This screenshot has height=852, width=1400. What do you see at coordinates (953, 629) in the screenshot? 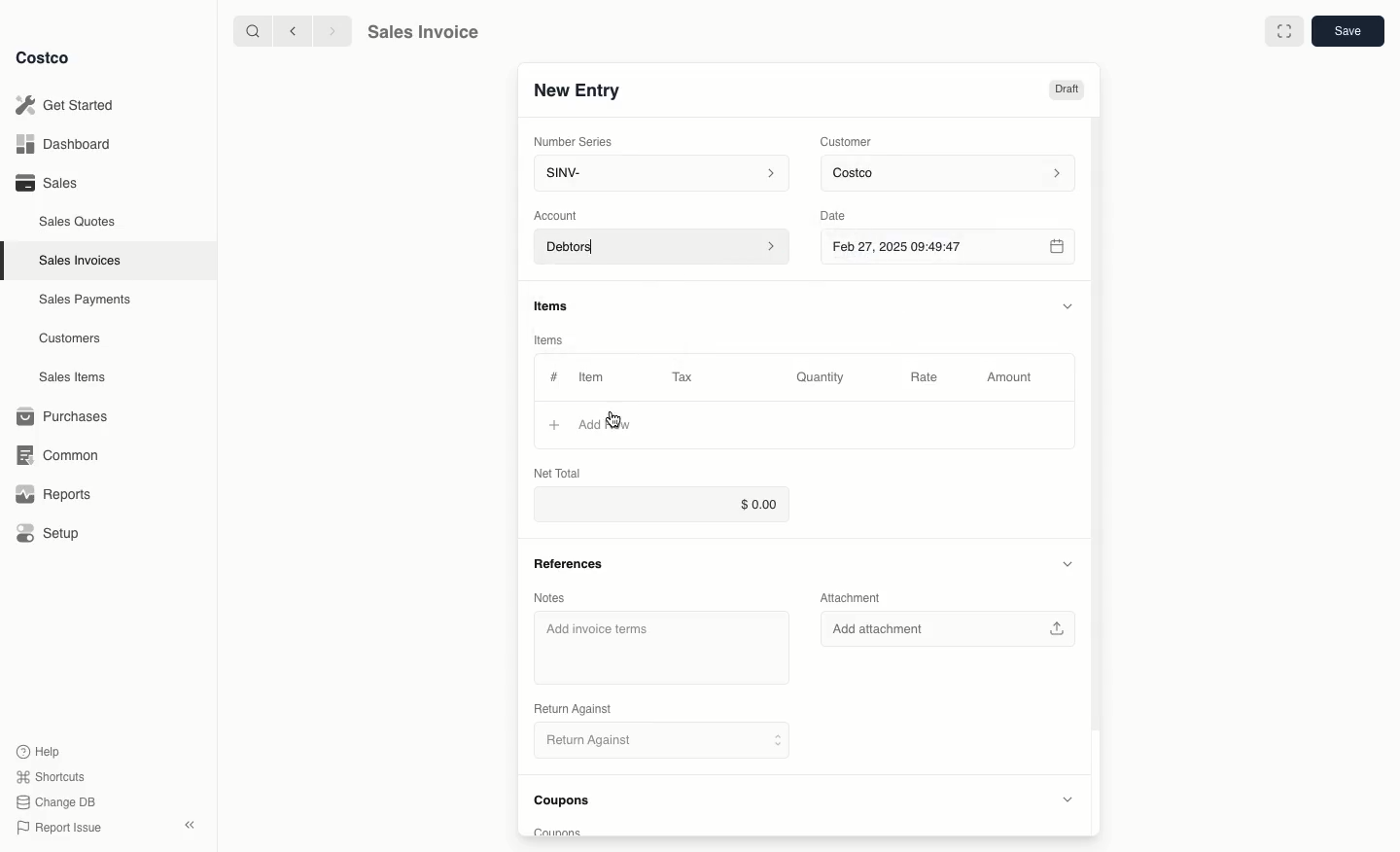
I see `Add attachment` at bounding box center [953, 629].